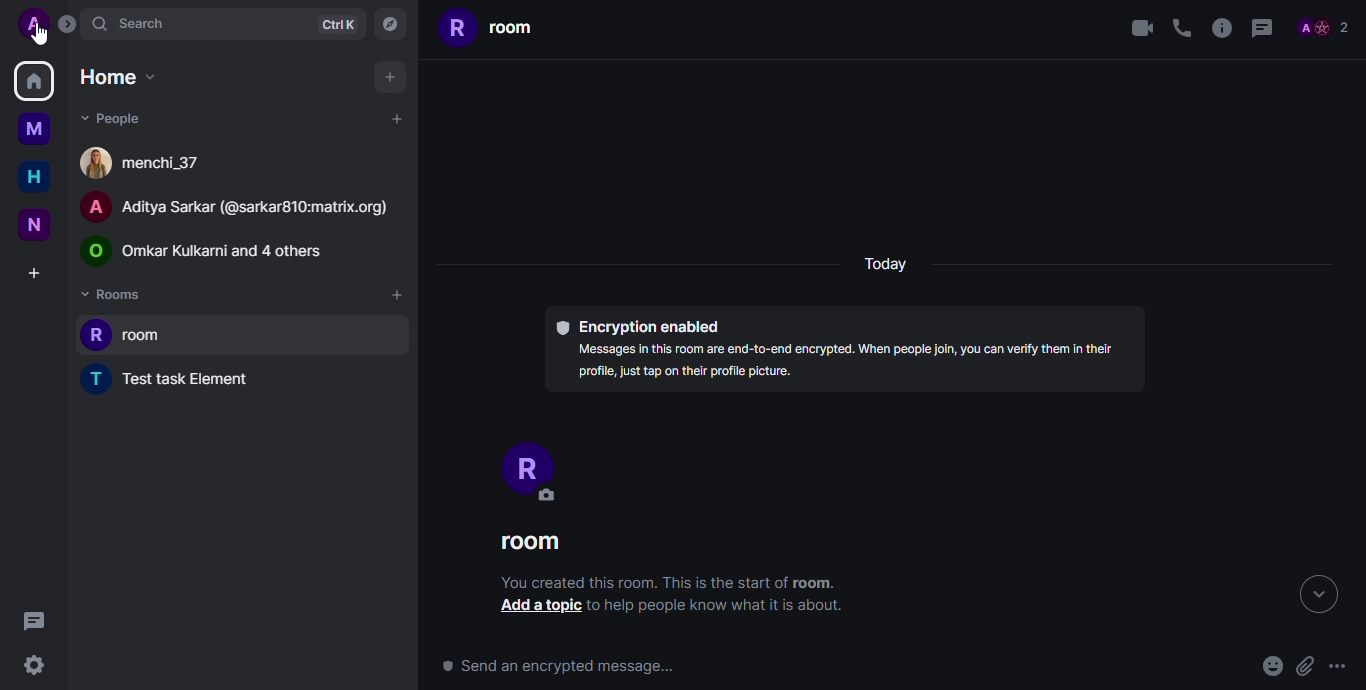  What do you see at coordinates (566, 668) in the screenshot?
I see `send encrypted message` at bounding box center [566, 668].